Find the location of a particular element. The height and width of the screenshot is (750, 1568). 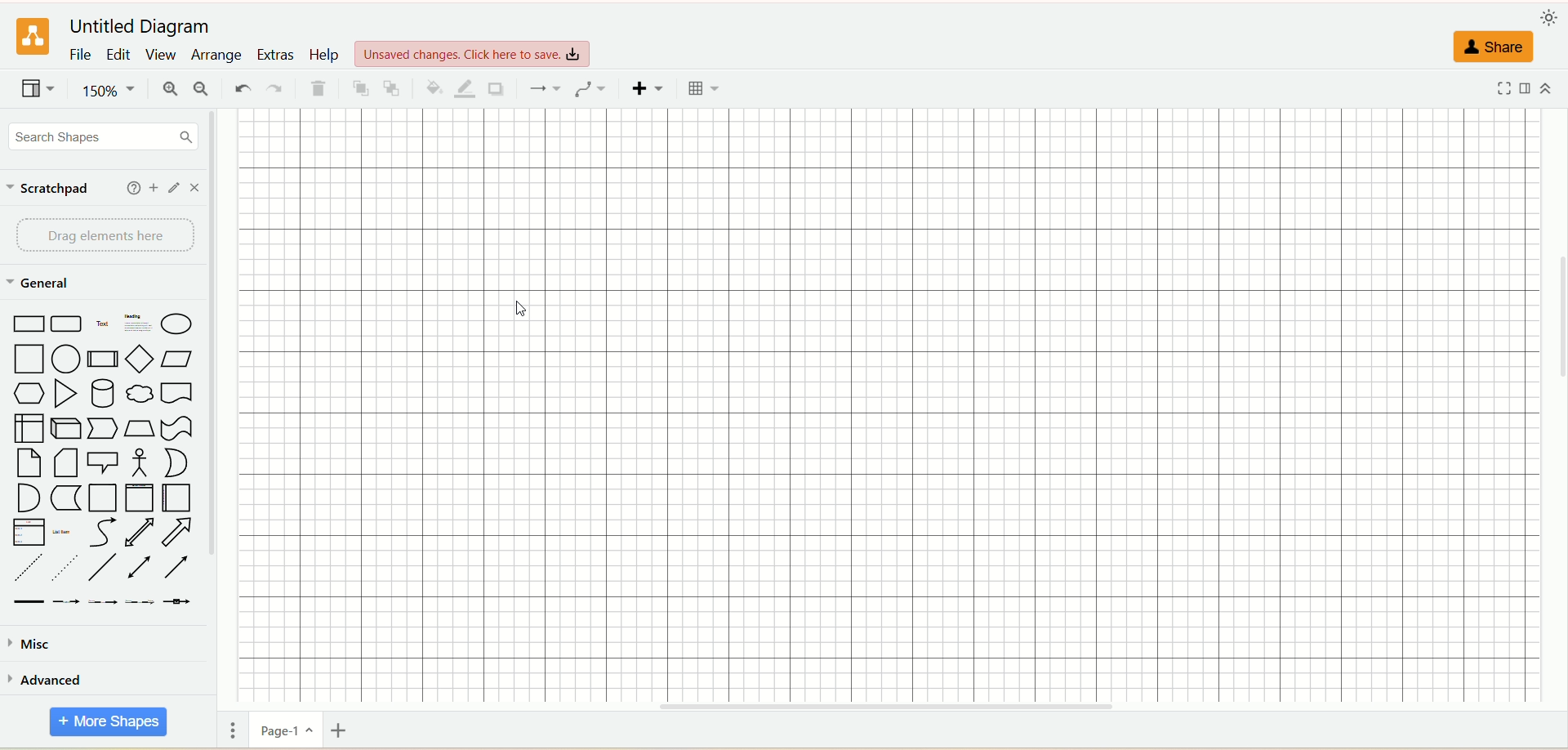

card is located at coordinates (64, 462).